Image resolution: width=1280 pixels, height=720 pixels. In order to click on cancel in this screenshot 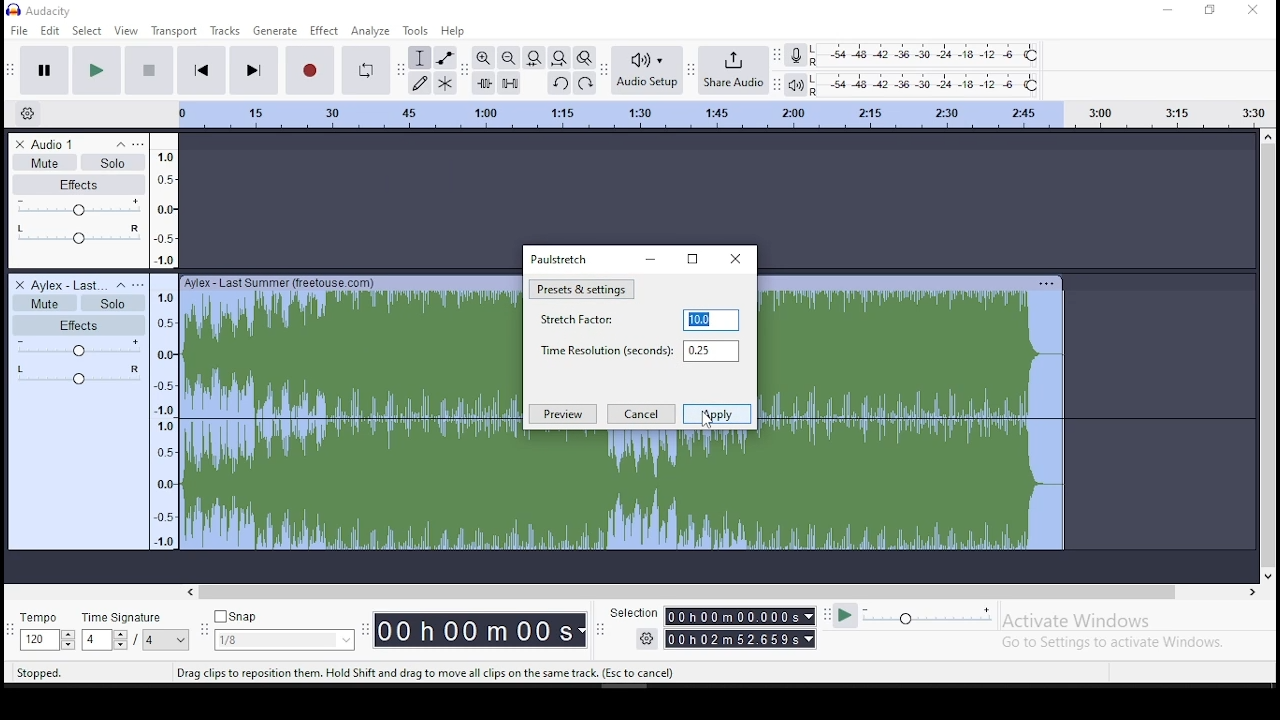, I will do `click(639, 413)`.